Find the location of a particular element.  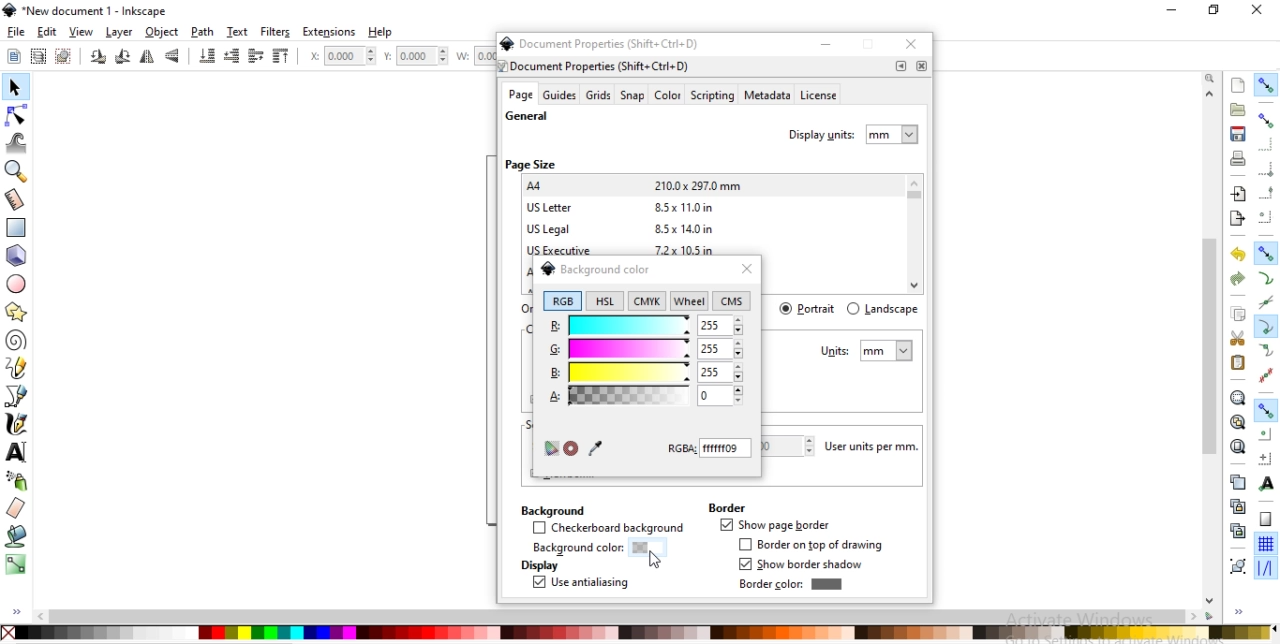

zoom is located at coordinates (1212, 77).